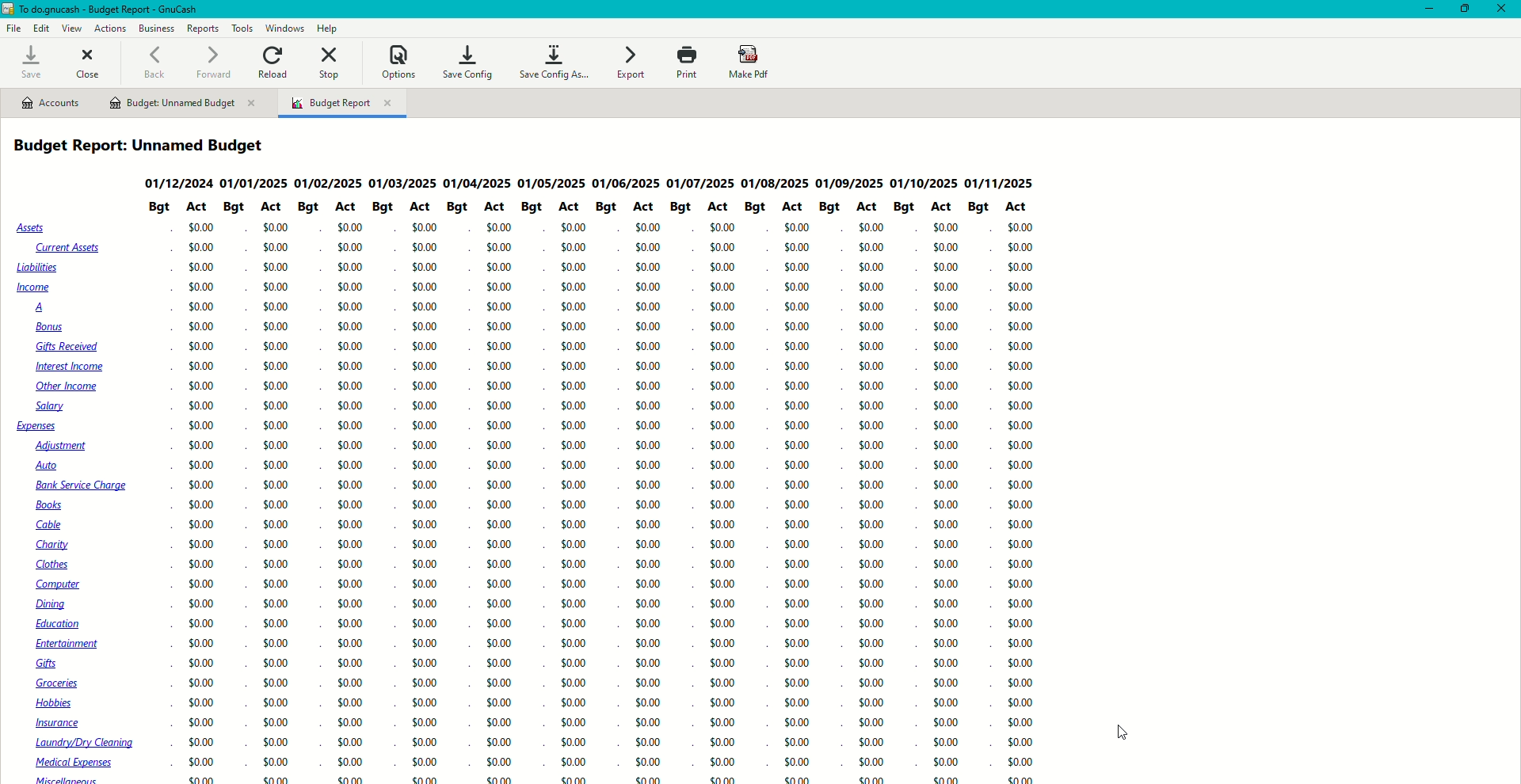 The height and width of the screenshot is (784, 1521). Describe the element at coordinates (109, 27) in the screenshot. I see `Actions` at that location.